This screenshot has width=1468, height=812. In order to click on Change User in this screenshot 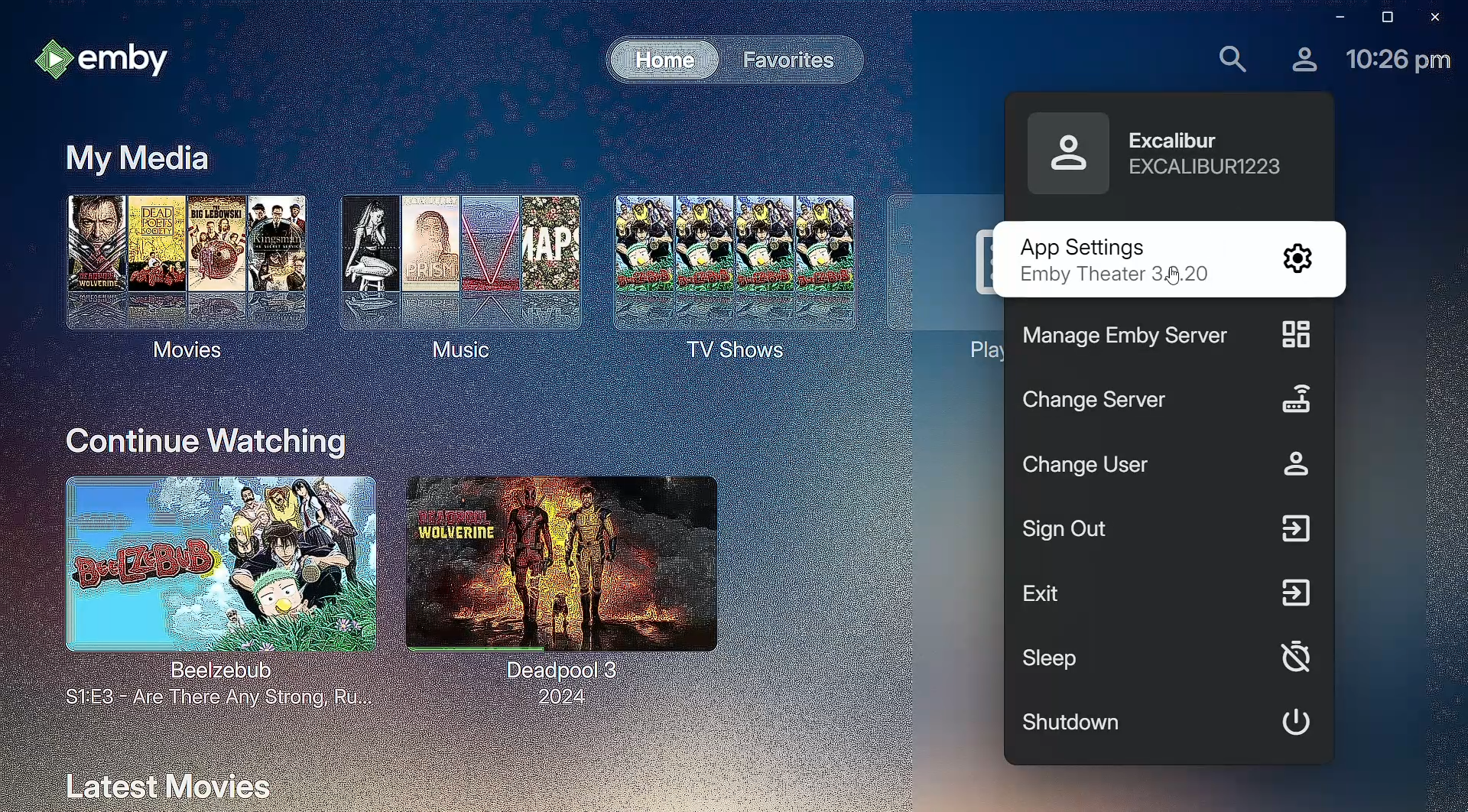, I will do `click(1173, 466)`.